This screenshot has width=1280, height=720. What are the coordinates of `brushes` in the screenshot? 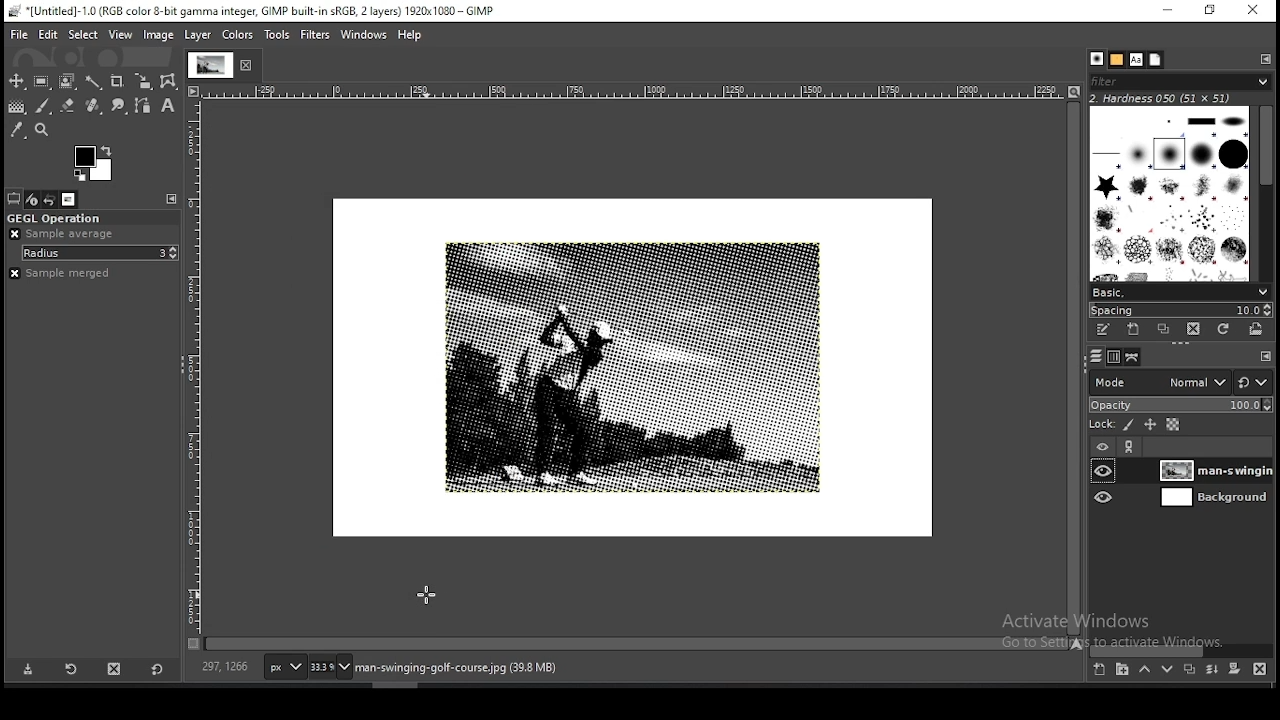 It's located at (1096, 58).